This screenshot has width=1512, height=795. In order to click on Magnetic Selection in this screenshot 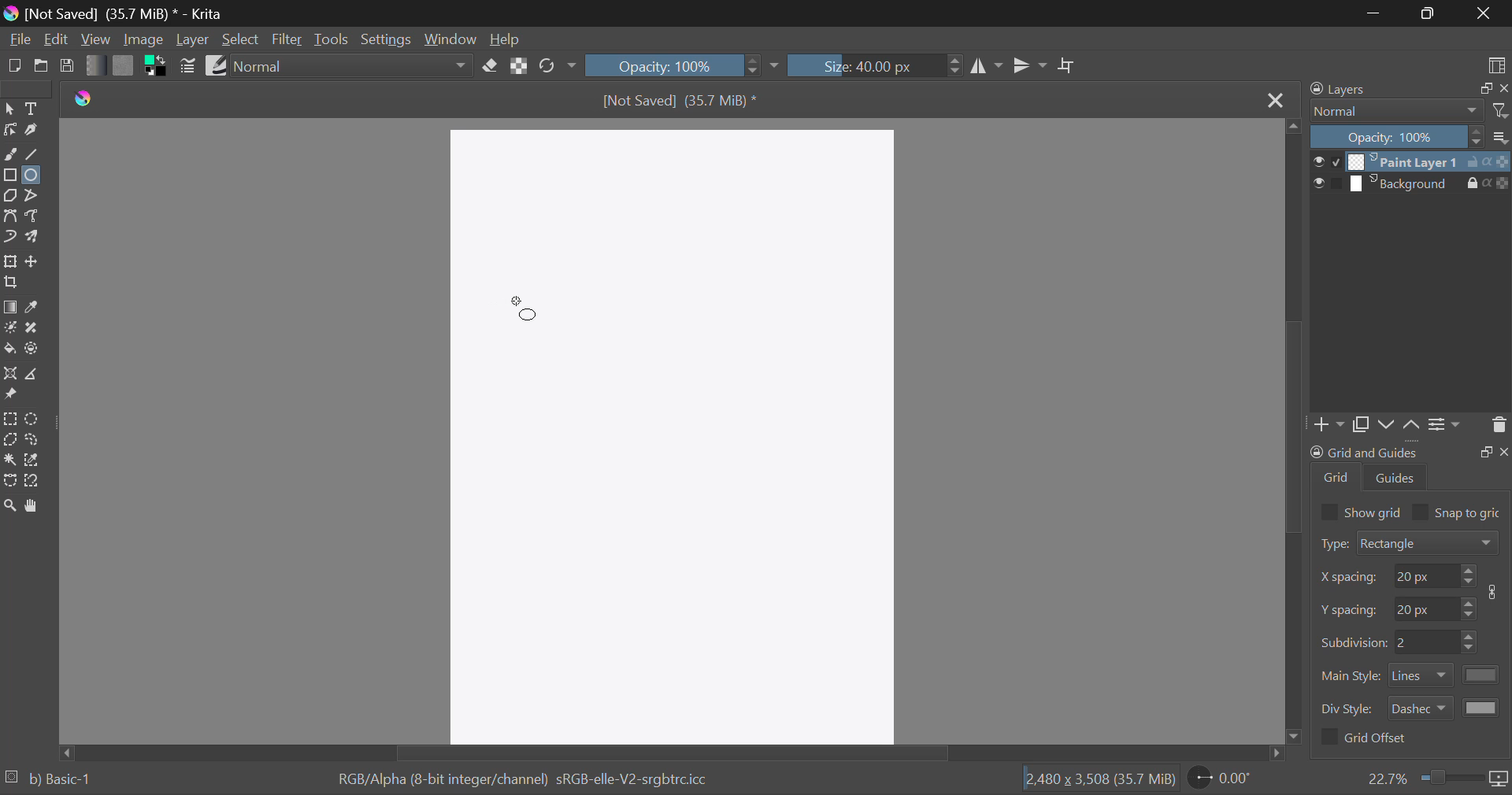, I will do `click(35, 480)`.